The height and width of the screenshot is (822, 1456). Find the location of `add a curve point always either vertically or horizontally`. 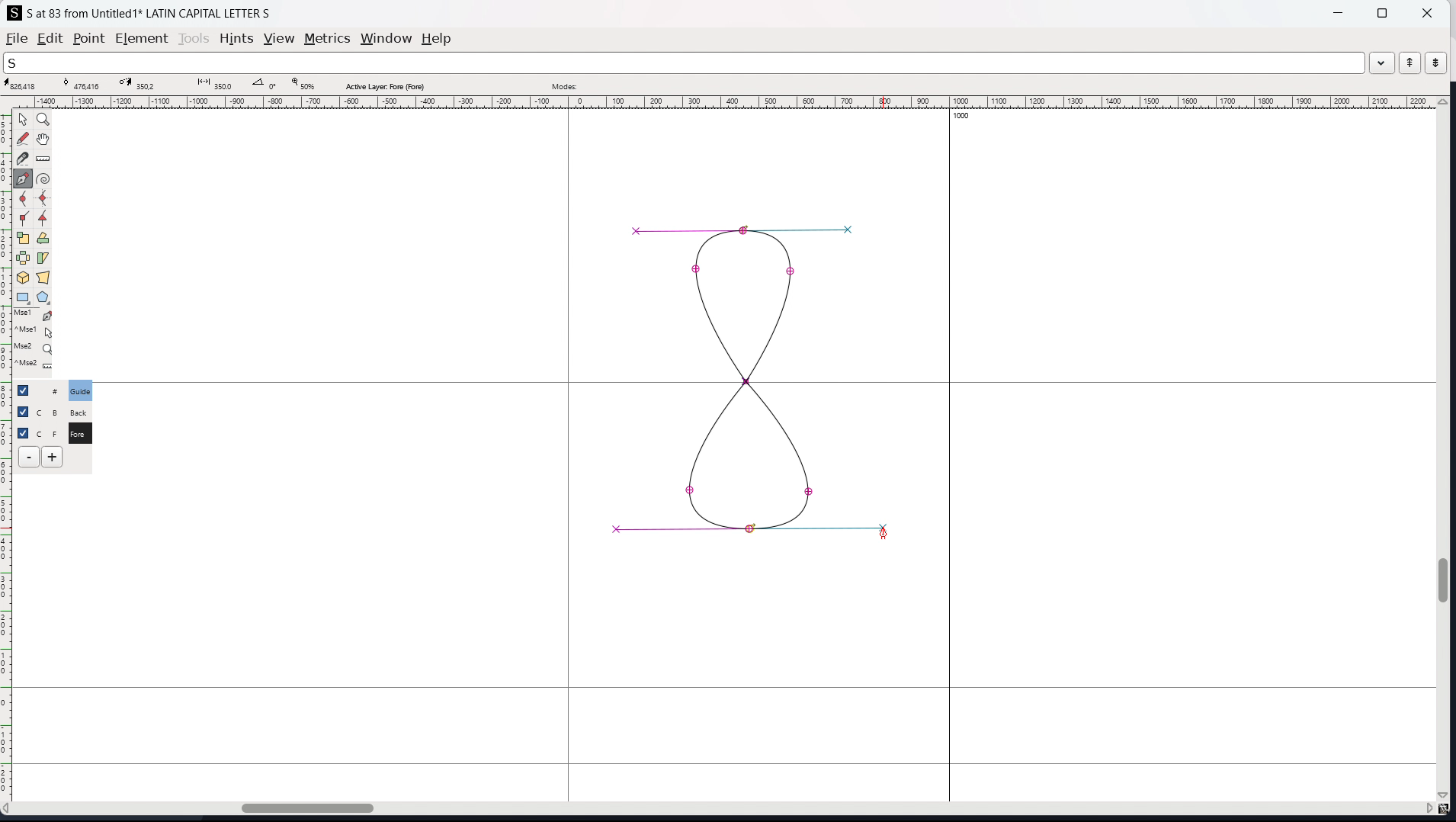

add a curve point always either vertically or horizontally is located at coordinates (44, 199).